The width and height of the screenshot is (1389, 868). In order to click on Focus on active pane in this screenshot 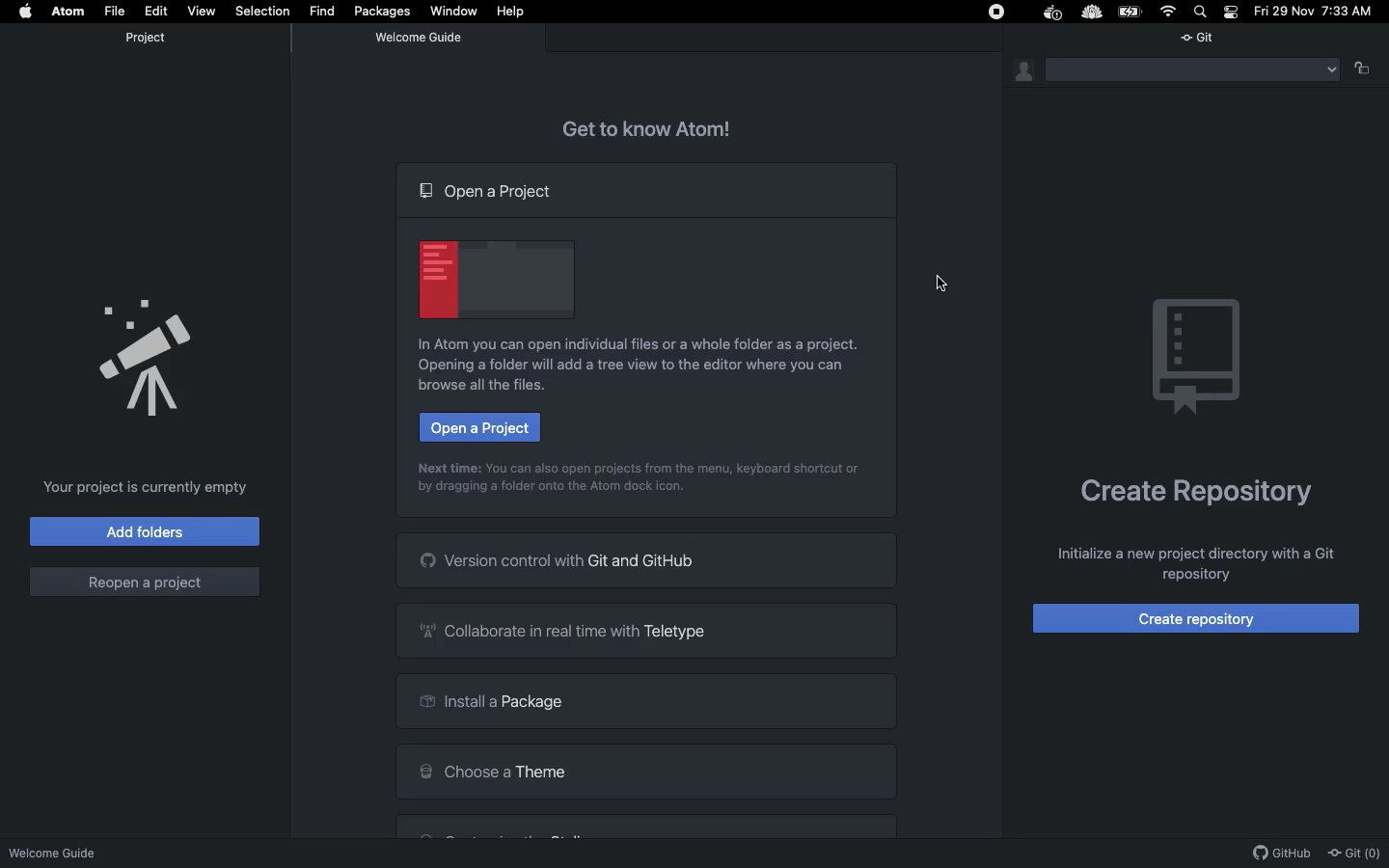, I will do `click(1369, 69)`.